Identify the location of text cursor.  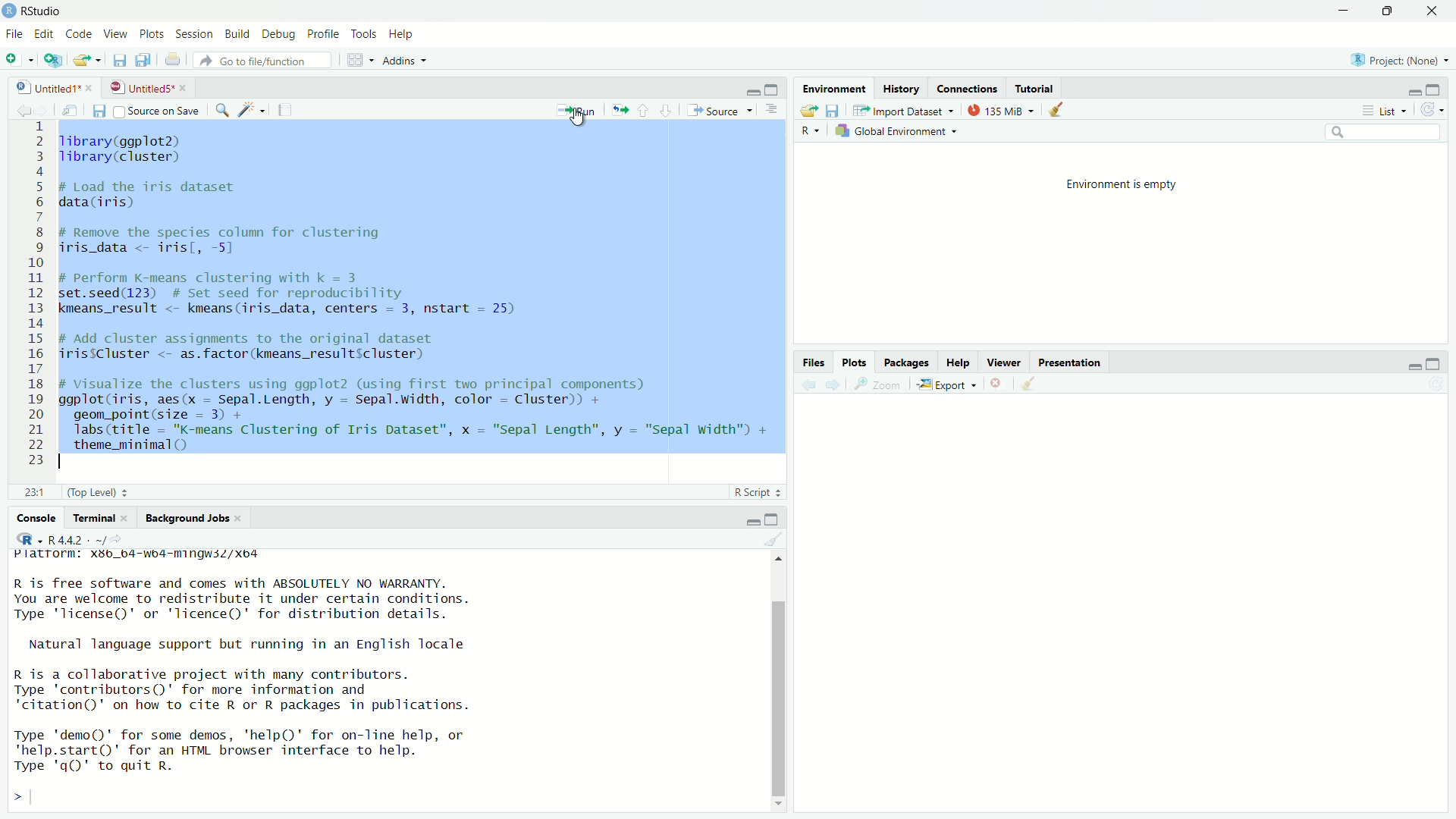
(63, 461).